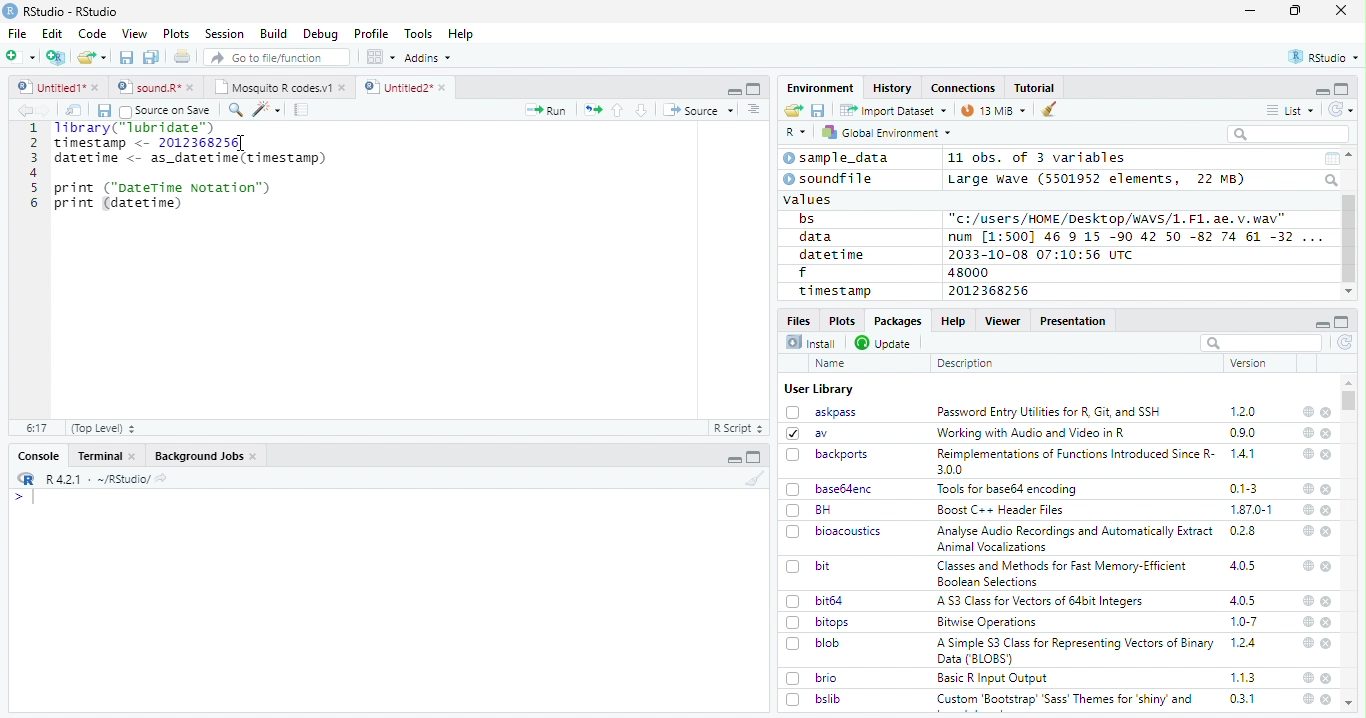  Describe the element at coordinates (1244, 530) in the screenshot. I see `0.2.8` at that location.